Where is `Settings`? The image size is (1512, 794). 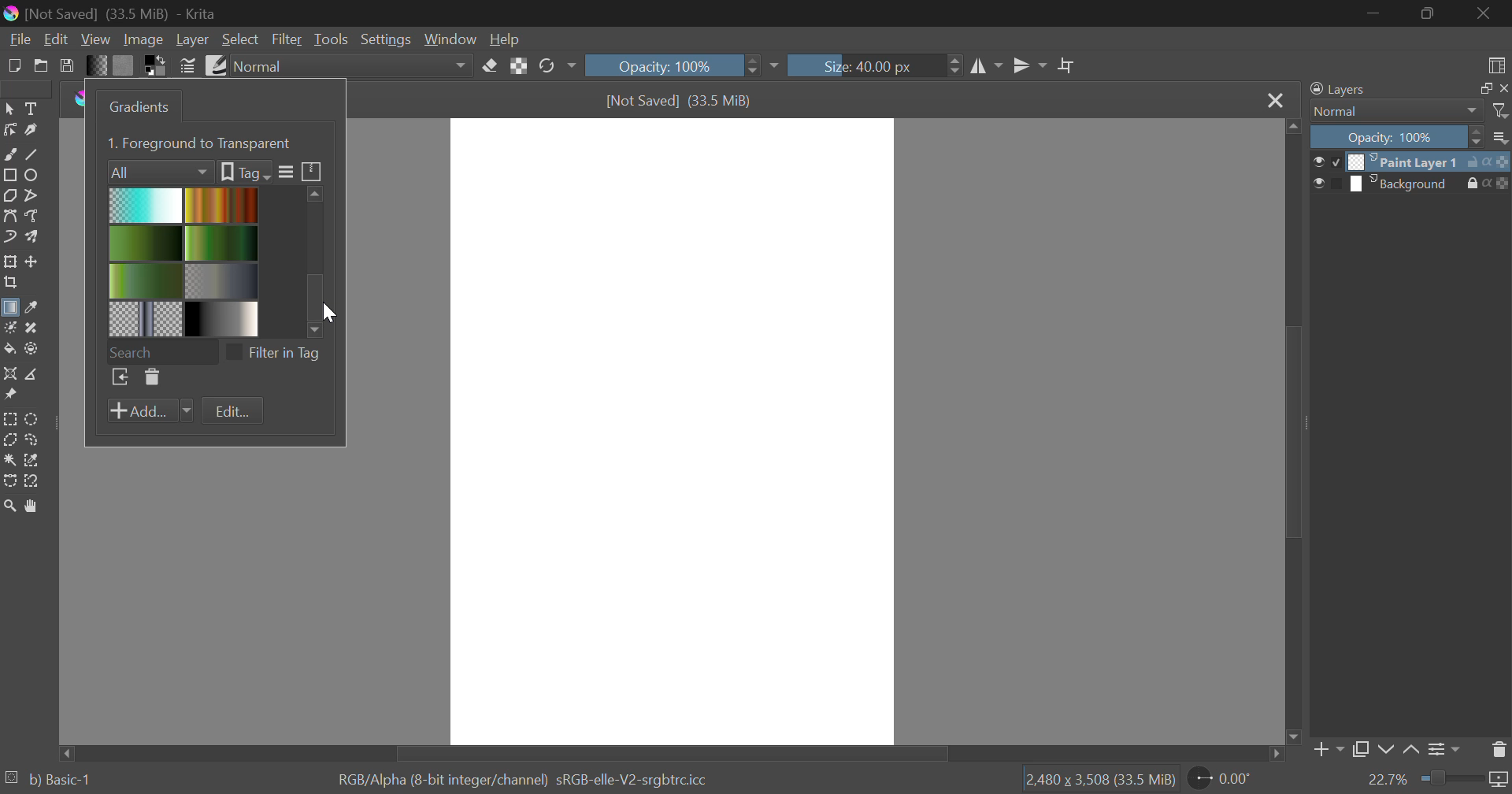 Settings is located at coordinates (384, 39).